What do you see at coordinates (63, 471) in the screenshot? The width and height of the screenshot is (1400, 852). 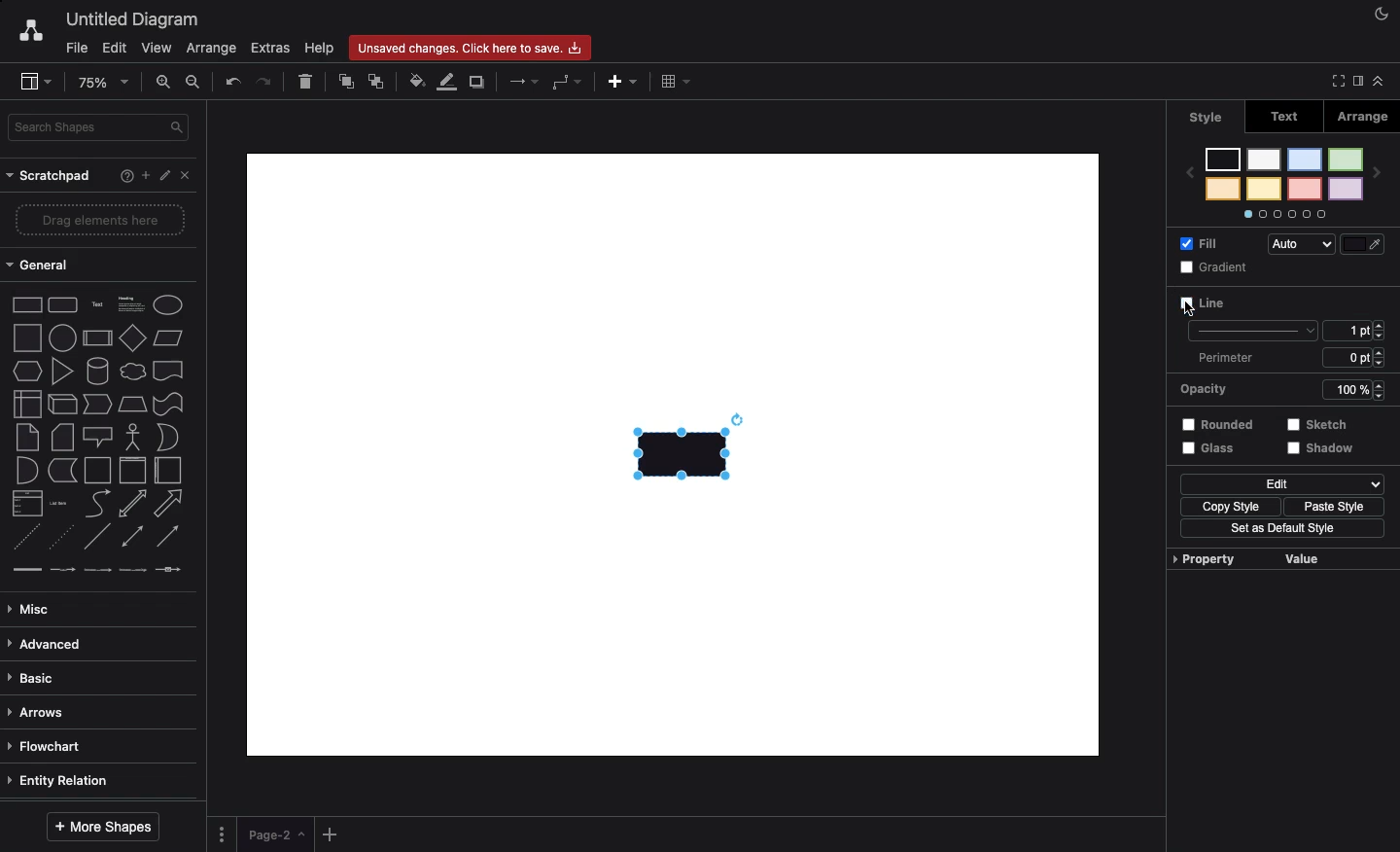 I see `data storage` at bounding box center [63, 471].